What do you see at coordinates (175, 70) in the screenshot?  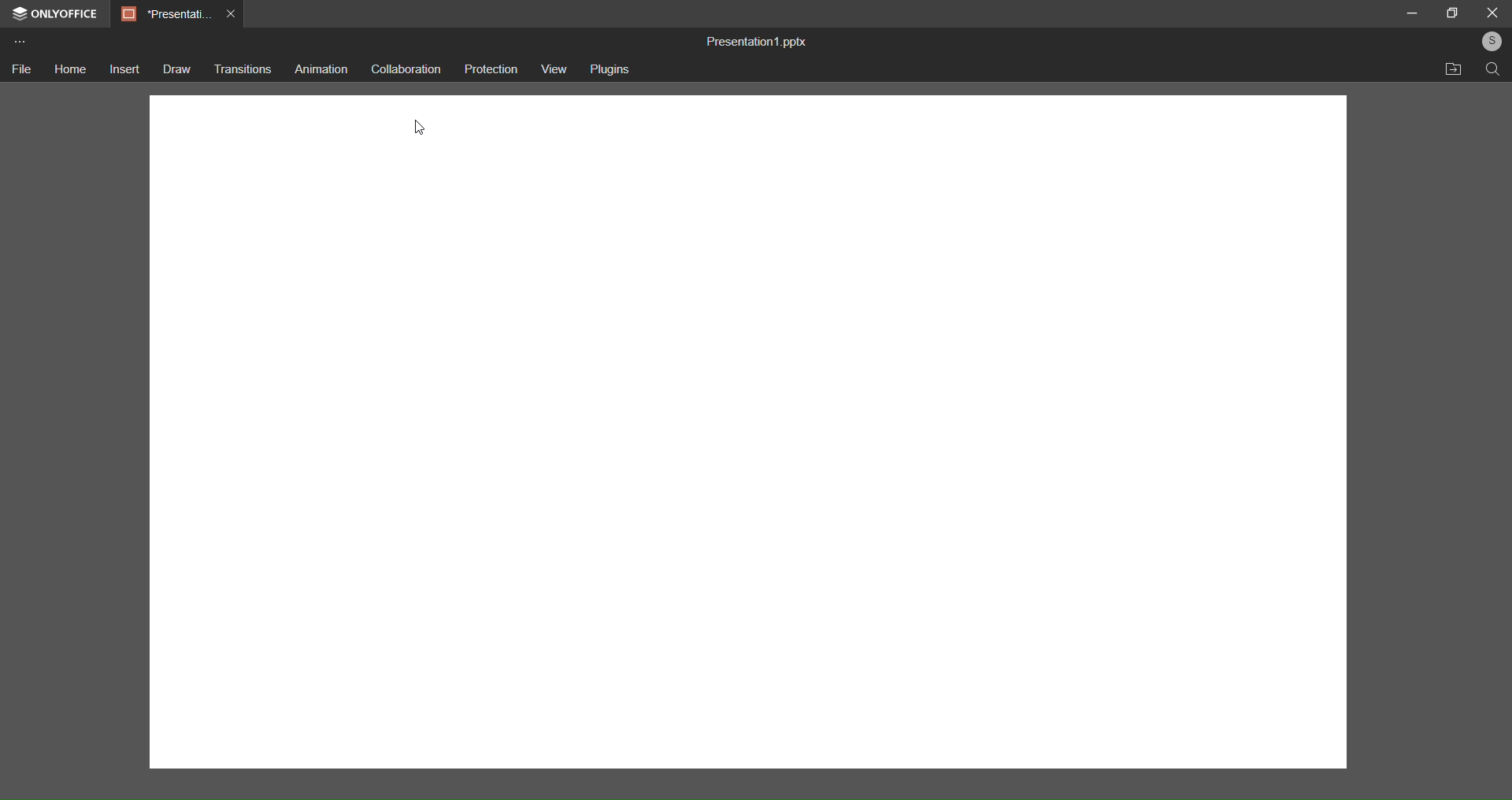 I see `draw` at bounding box center [175, 70].